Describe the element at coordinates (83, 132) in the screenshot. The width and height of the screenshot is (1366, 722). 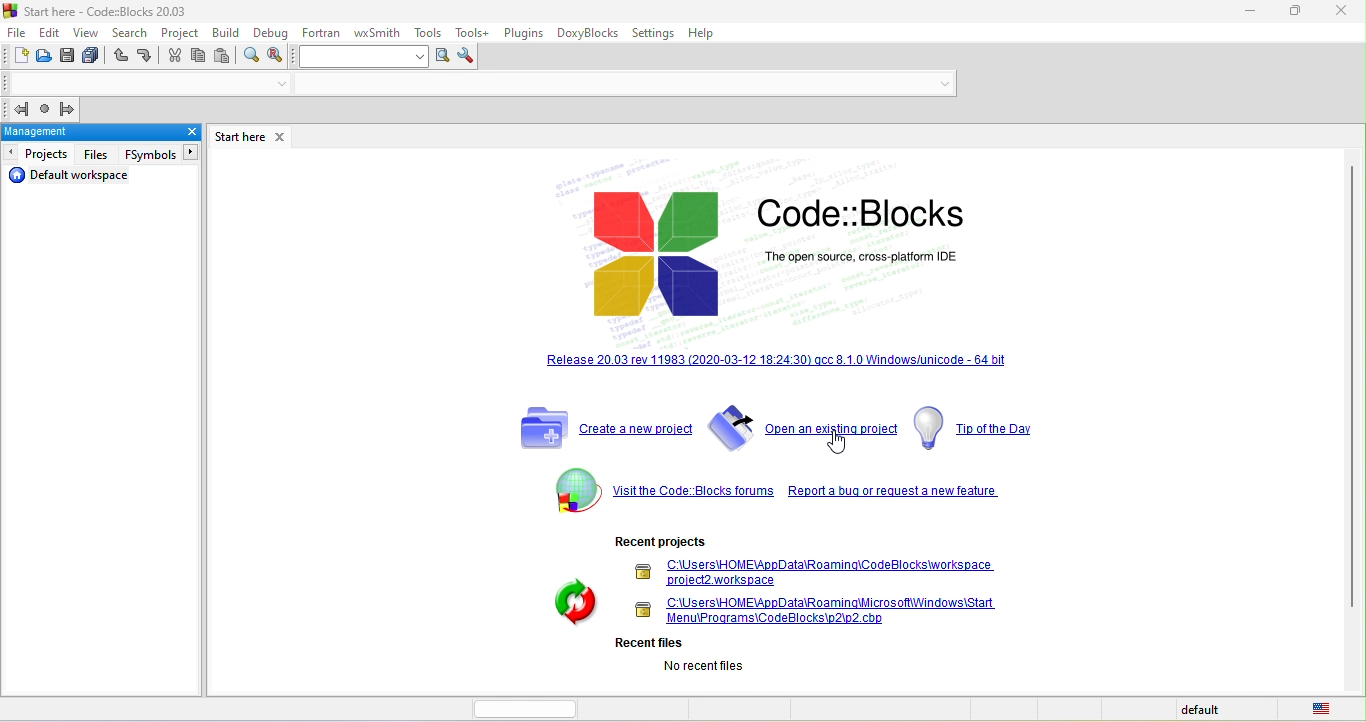
I see `management` at that location.